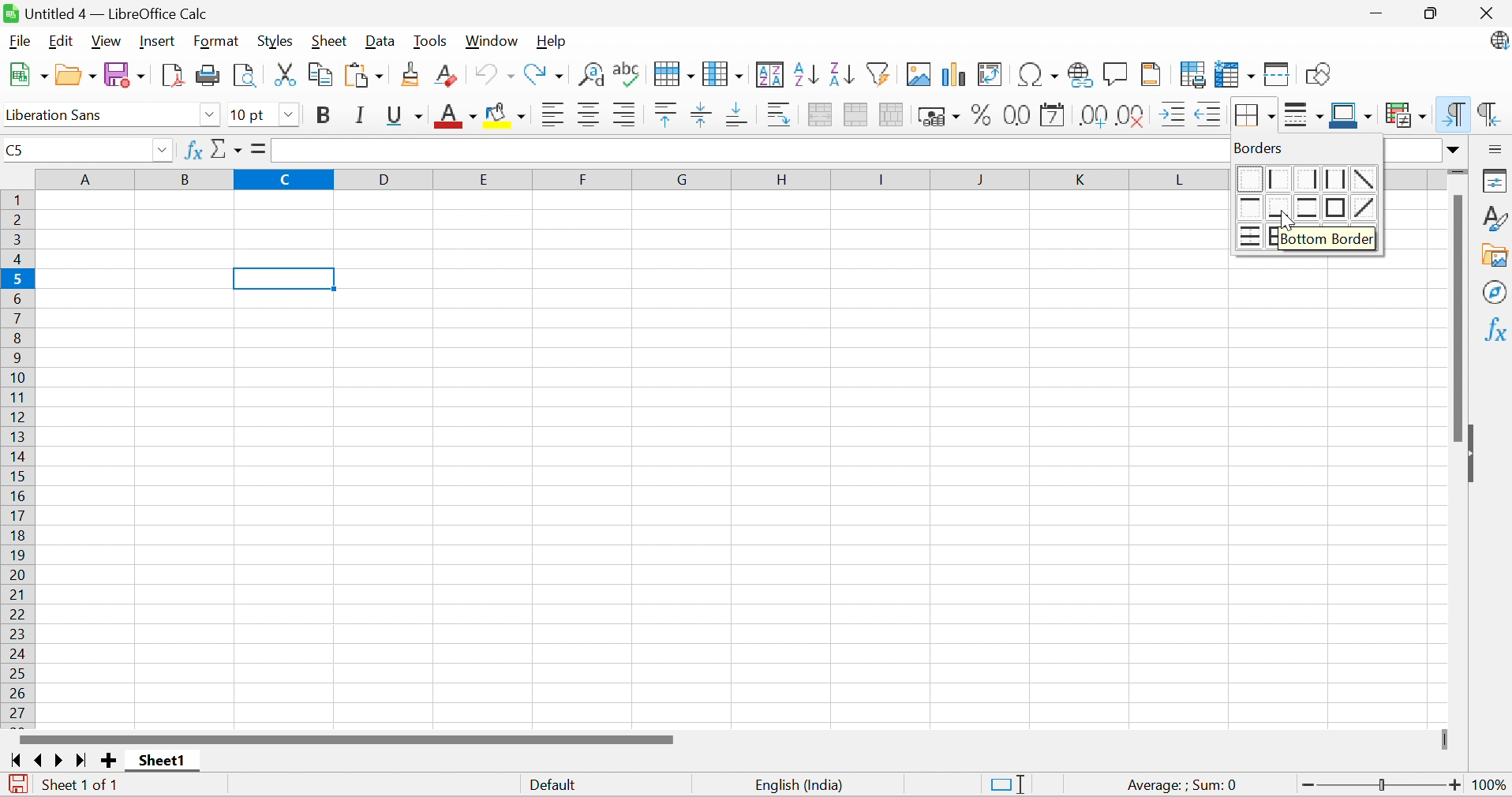 This screenshot has width=1512, height=797. Describe the element at coordinates (367, 77) in the screenshot. I see `Paste` at that location.